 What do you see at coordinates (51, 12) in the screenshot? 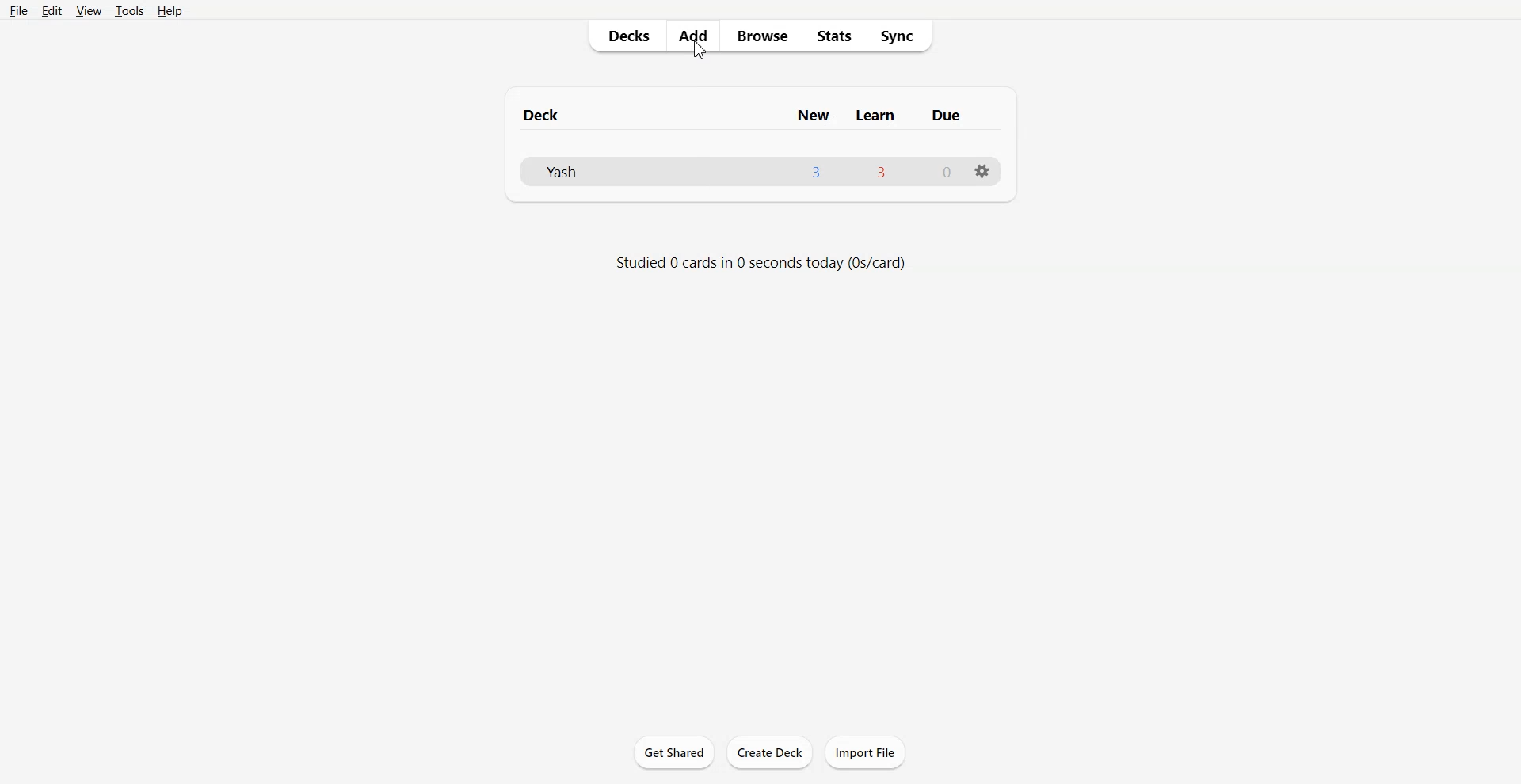
I see `Edit` at bounding box center [51, 12].